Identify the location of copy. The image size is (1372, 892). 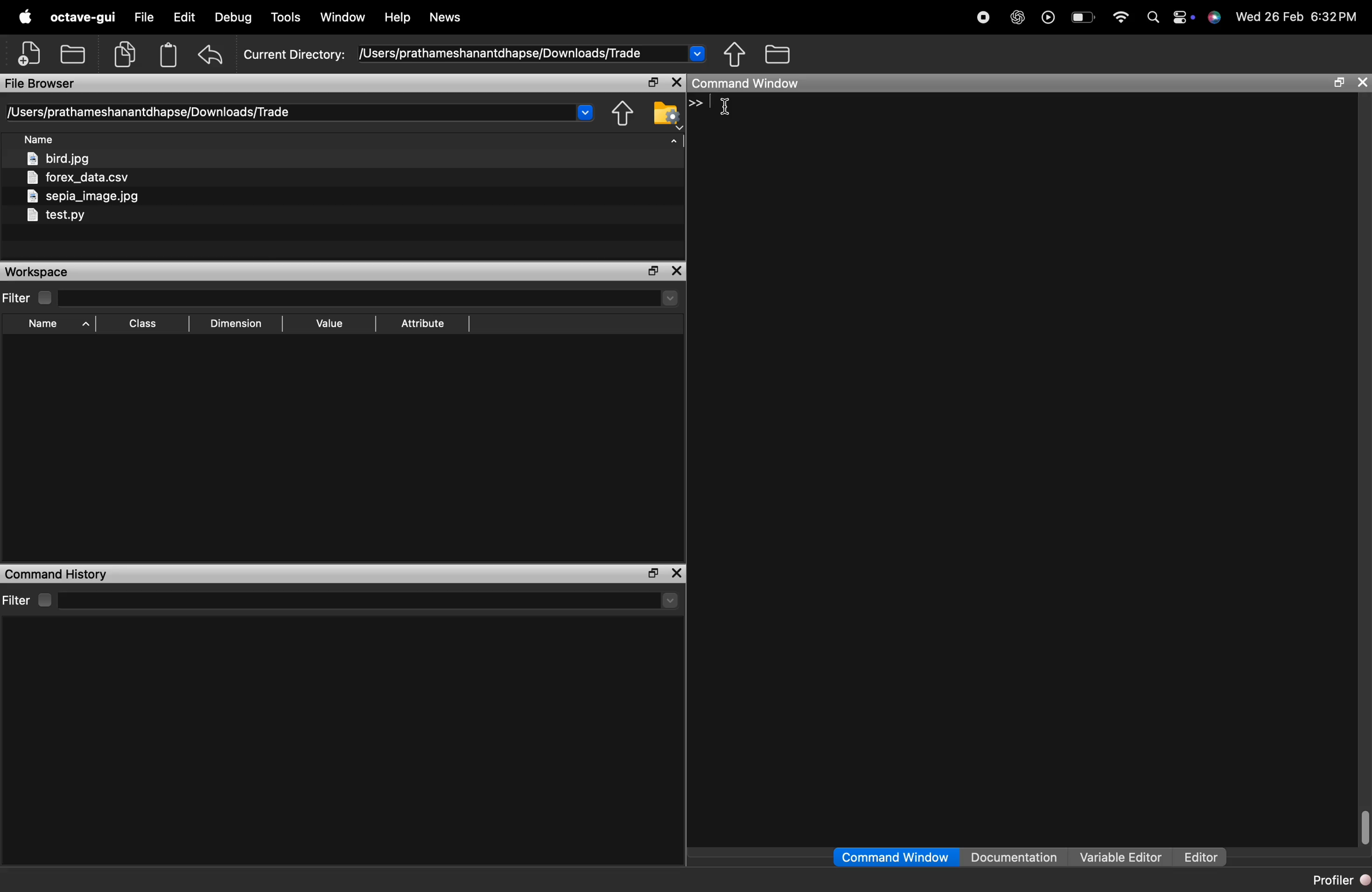
(127, 53).